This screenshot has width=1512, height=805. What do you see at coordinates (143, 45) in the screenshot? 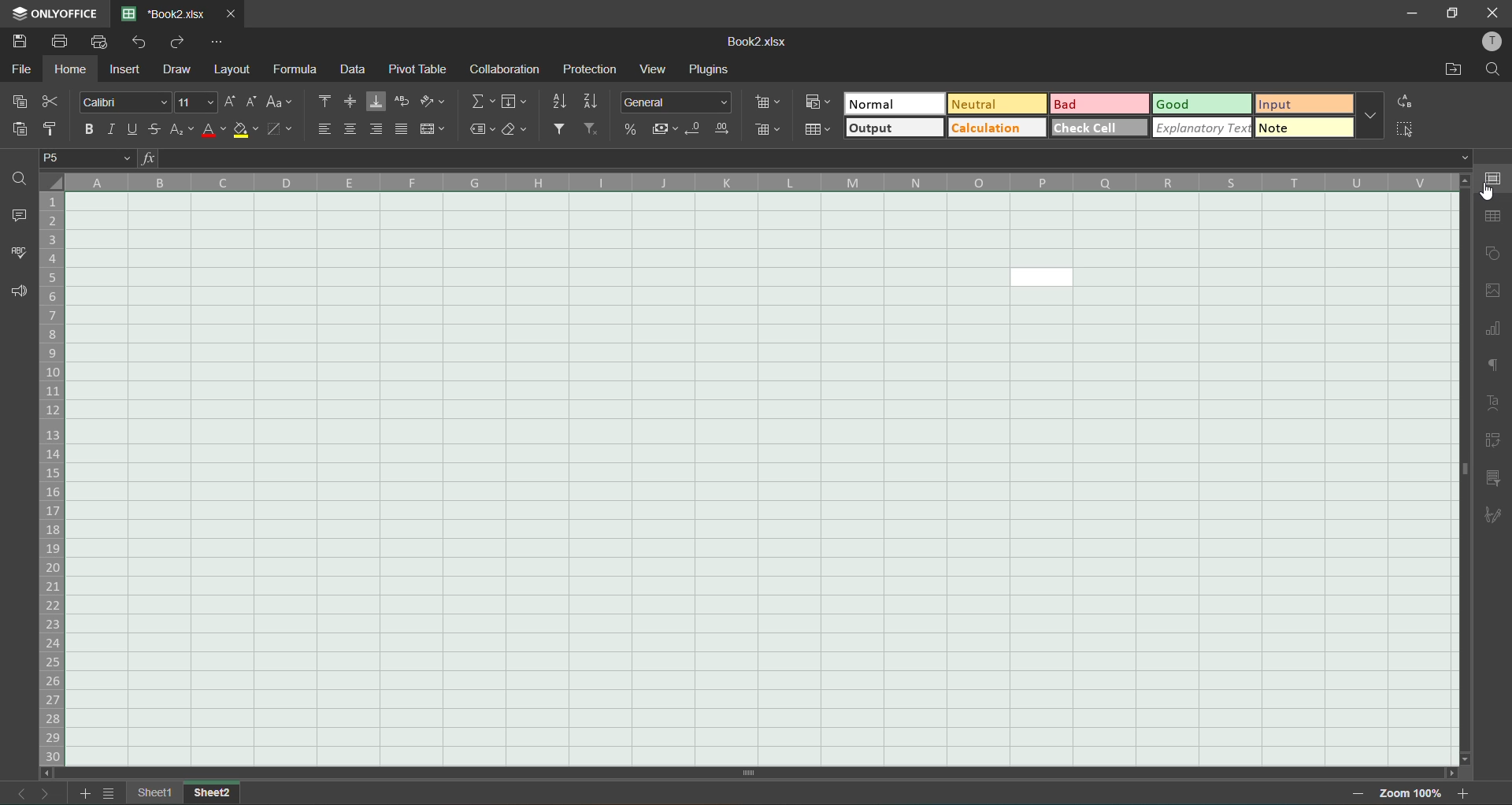
I see `undo` at bounding box center [143, 45].